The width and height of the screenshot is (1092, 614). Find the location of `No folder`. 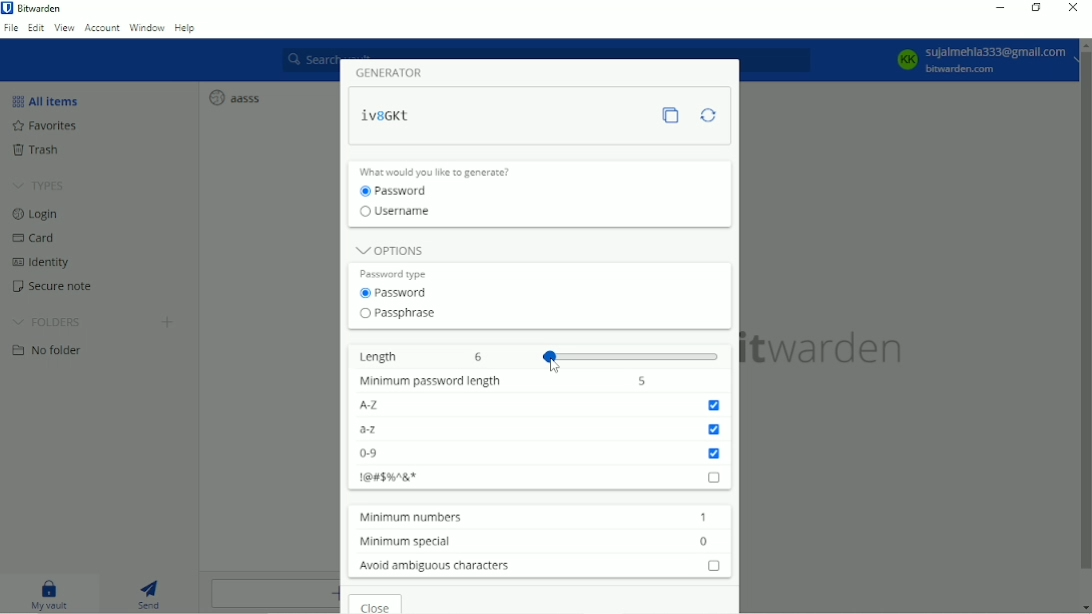

No folder is located at coordinates (53, 353).